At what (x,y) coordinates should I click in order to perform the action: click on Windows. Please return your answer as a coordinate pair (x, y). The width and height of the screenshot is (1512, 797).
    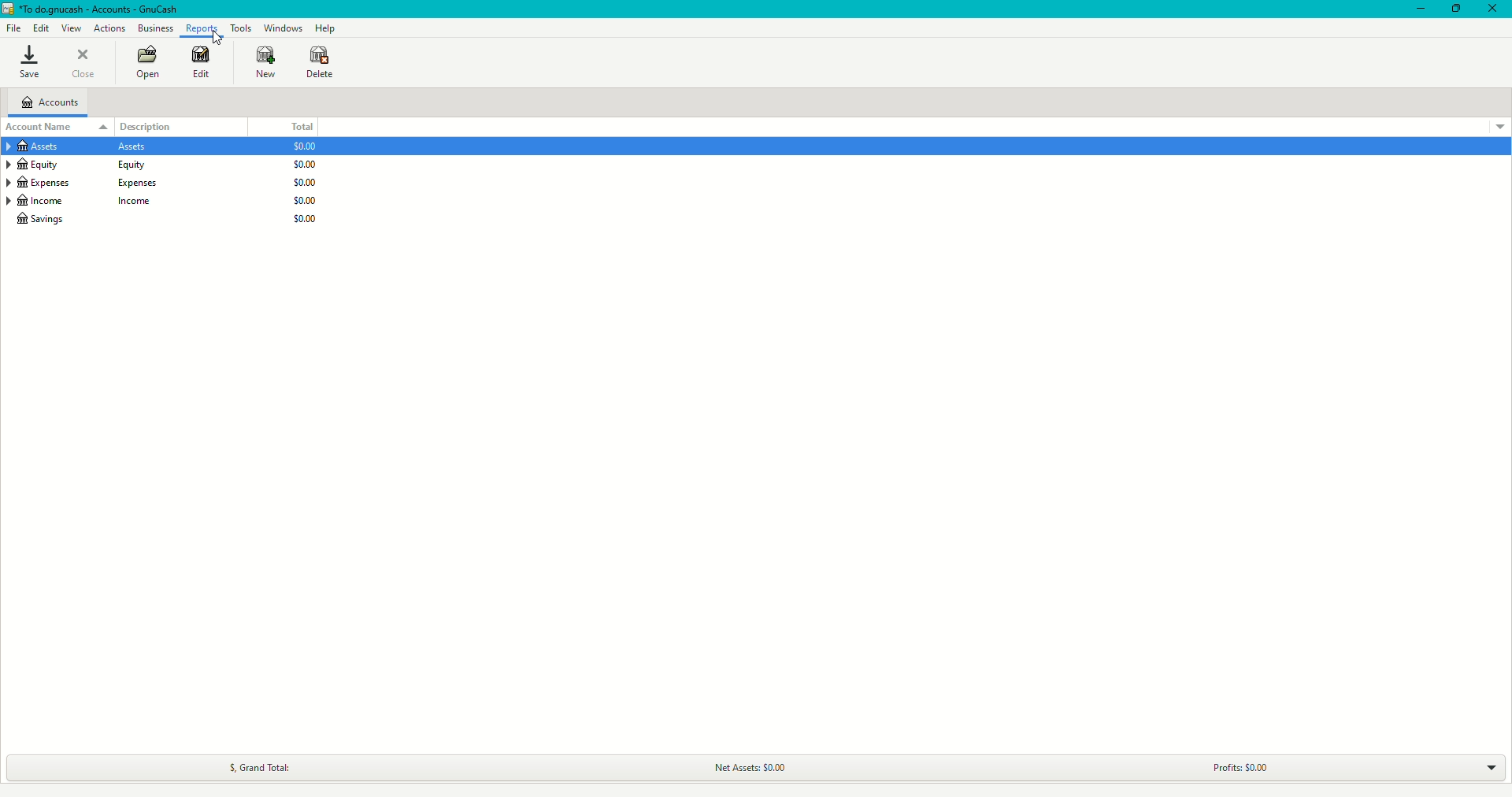
    Looking at the image, I should click on (287, 28).